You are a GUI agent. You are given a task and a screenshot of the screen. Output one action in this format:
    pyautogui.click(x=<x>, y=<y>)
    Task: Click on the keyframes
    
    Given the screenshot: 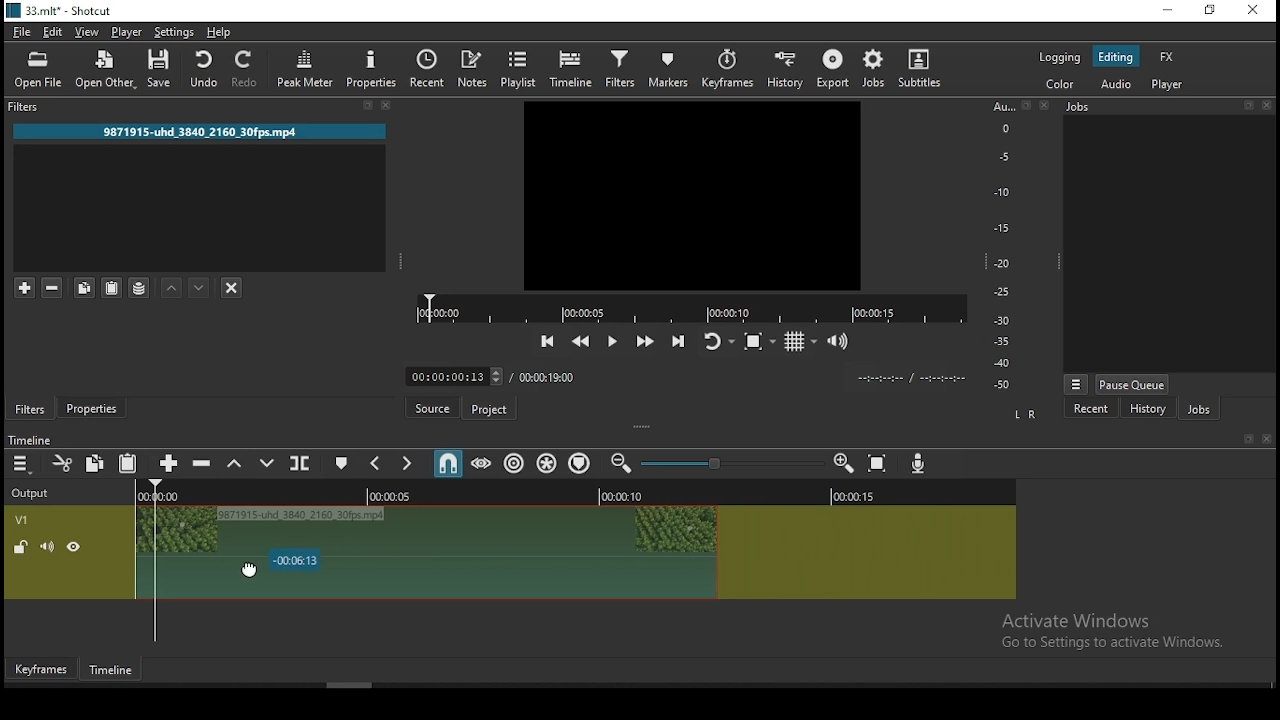 What is the action you would take?
    pyautogui.click(x=729, y=67)
    